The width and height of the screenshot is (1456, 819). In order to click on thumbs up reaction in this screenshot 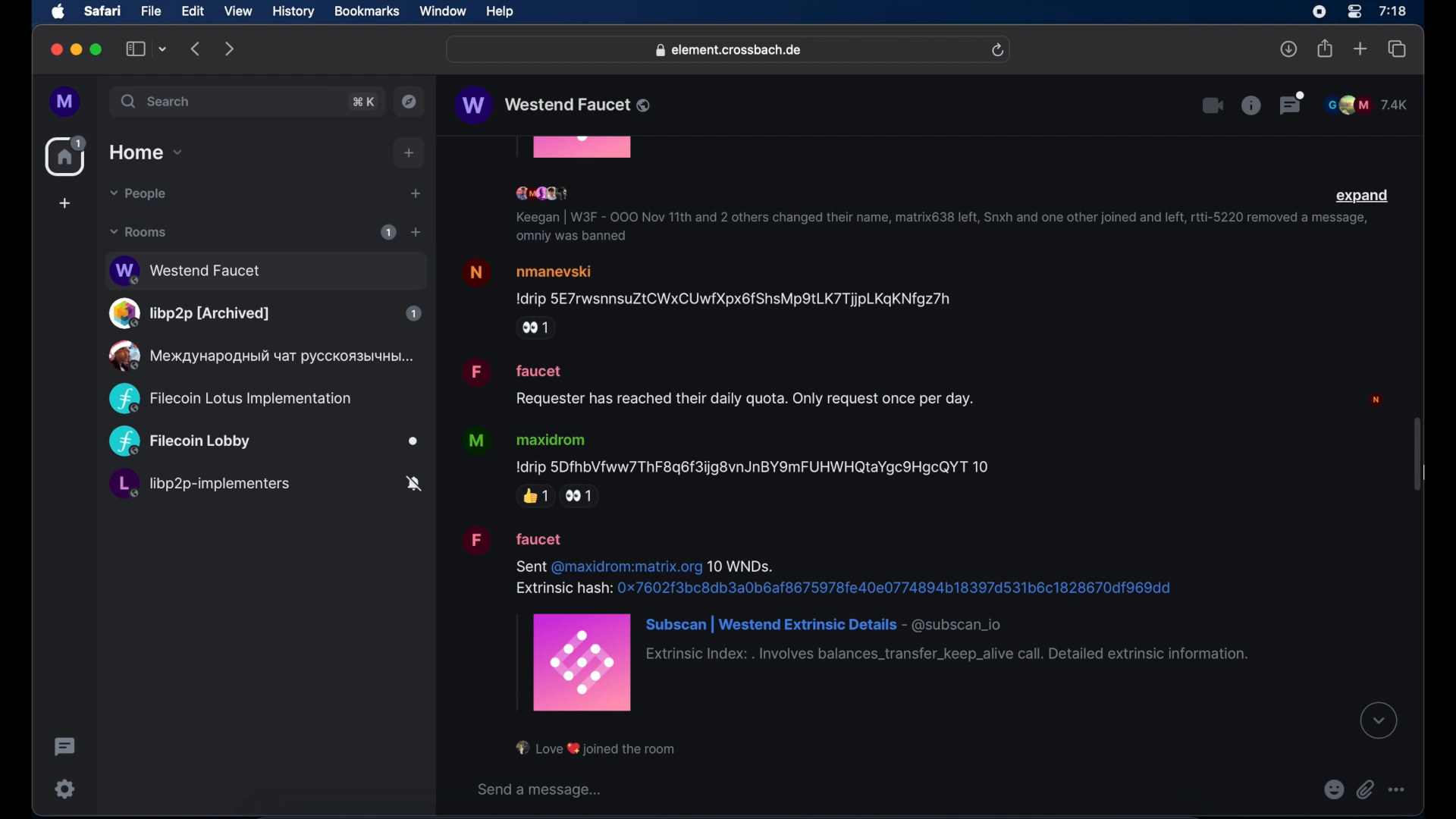, I will do `click(535, 496)`.